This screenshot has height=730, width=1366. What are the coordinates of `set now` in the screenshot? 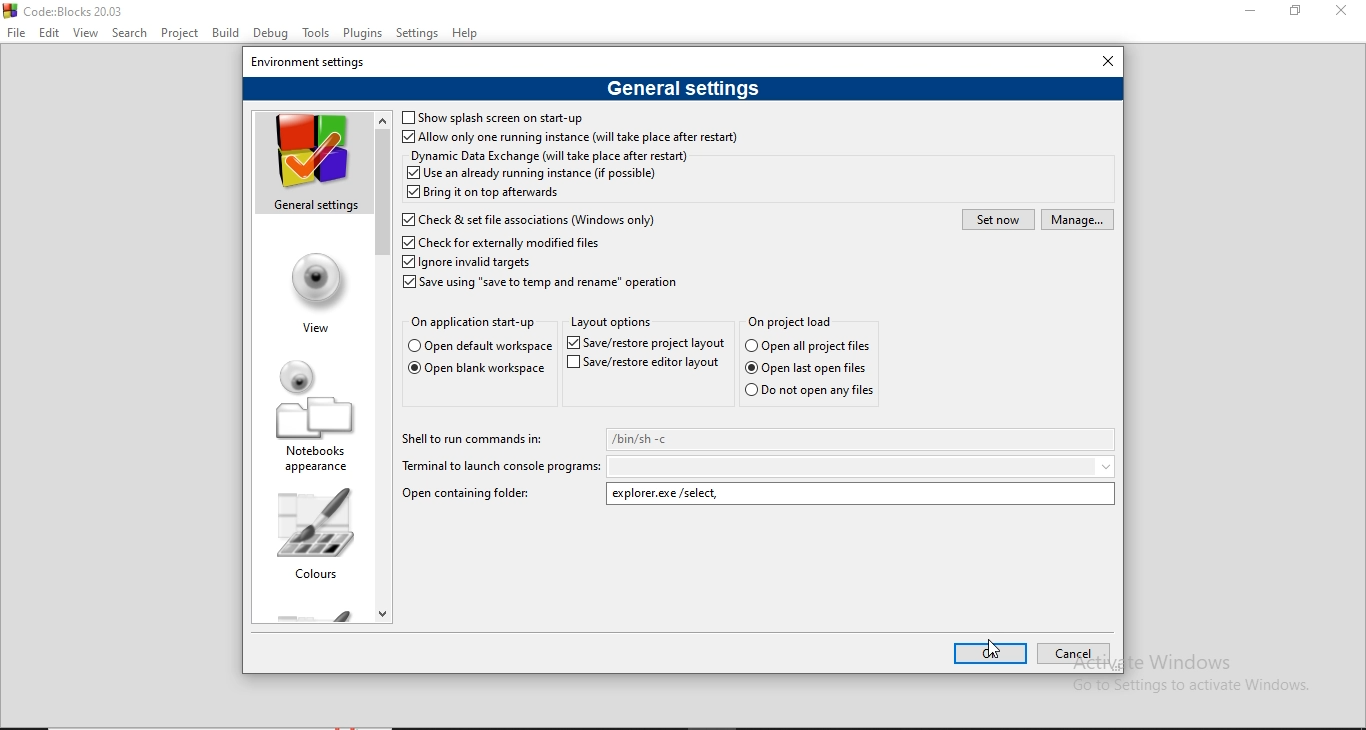 It's located at (998, 219).